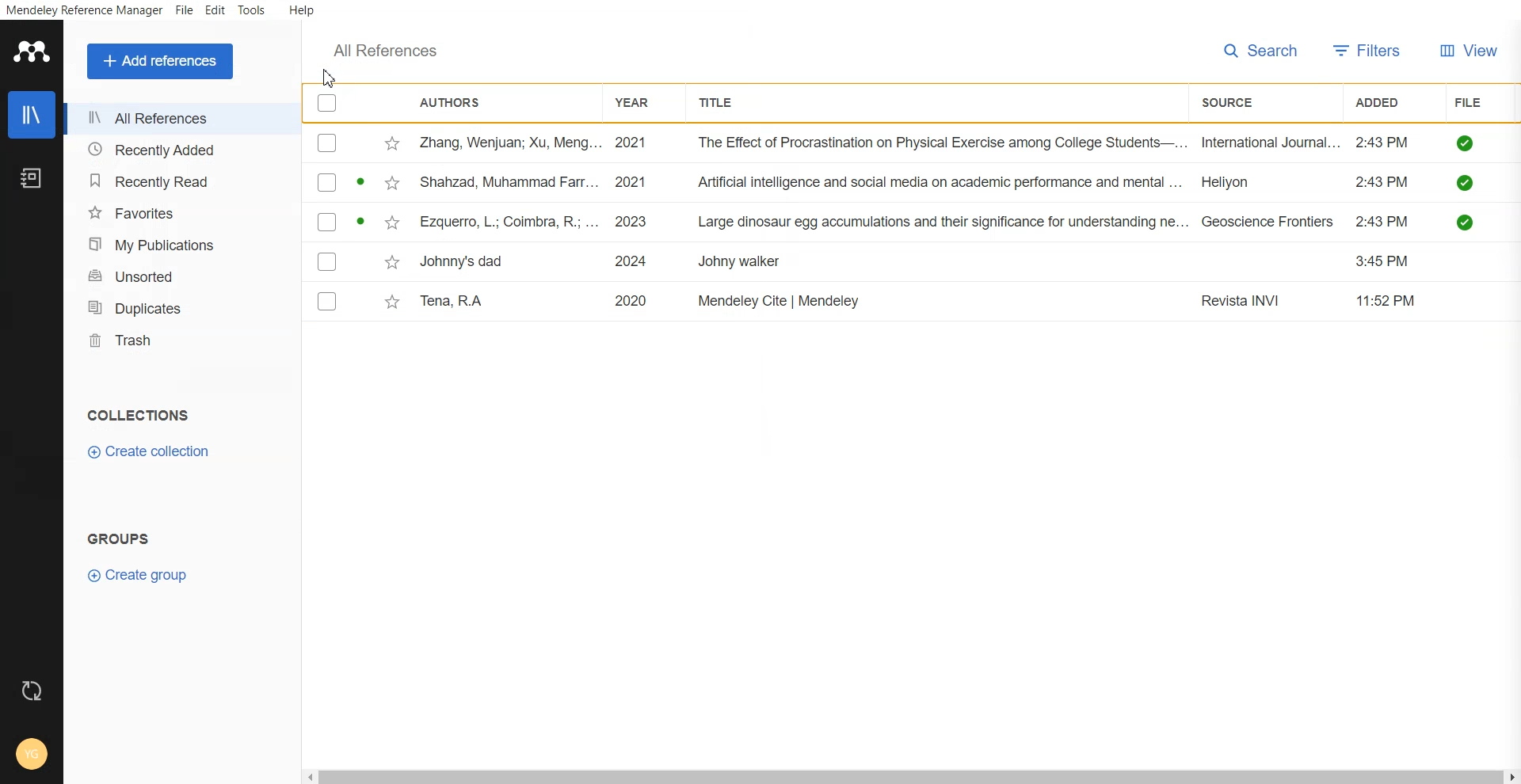 Image resolution: width=1521 pixels, height=784 pixels. What do you see at coordinates (137, 575) in the screenshot?
I see `Create group` at bounding box center [137, 575].